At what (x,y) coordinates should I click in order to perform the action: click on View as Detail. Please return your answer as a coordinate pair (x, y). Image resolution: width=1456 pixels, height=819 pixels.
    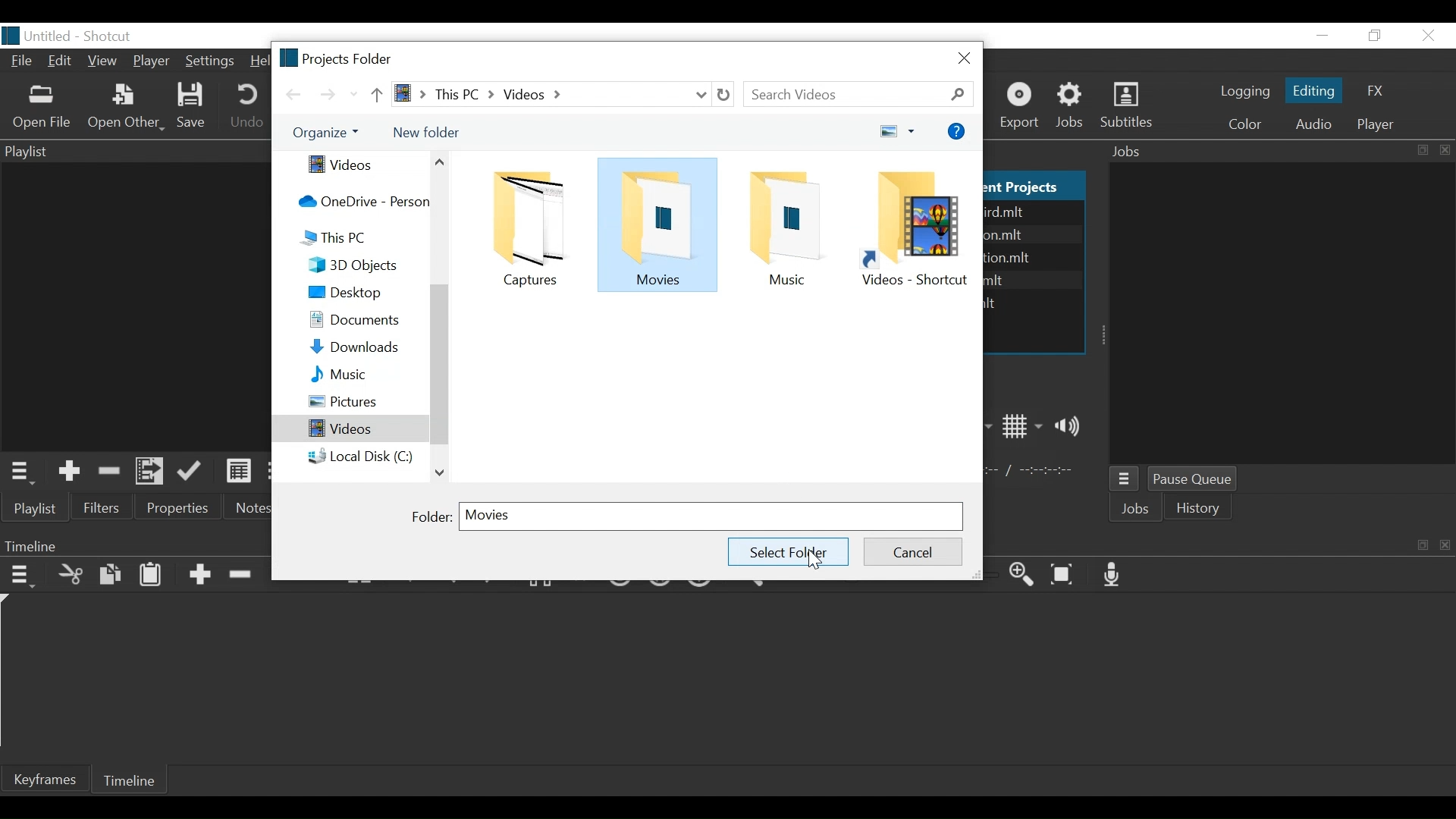
    Looking at the image, I should click on (238, 471).